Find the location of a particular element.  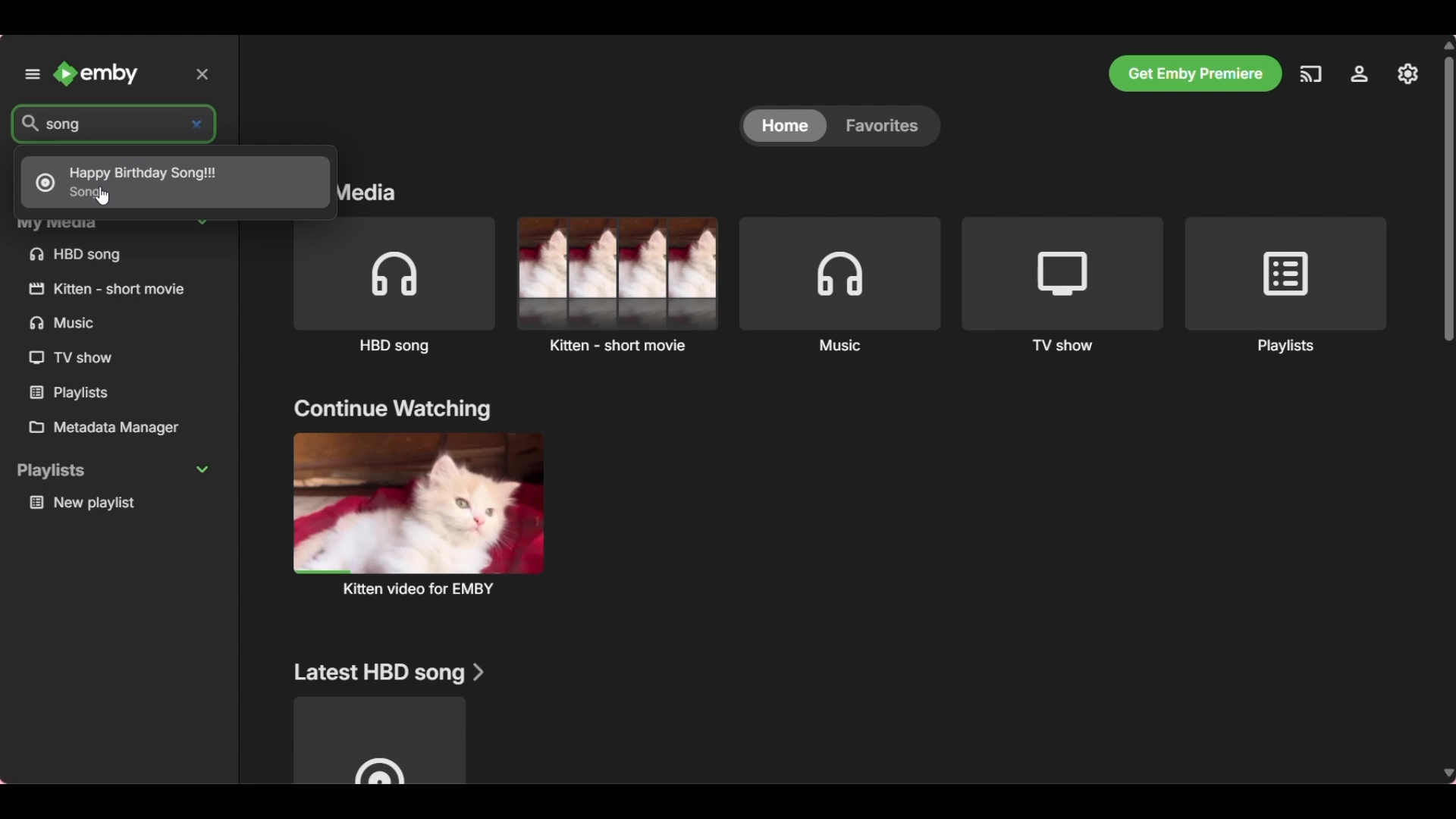

Happy birthday song is located at coordinates (173, 183).